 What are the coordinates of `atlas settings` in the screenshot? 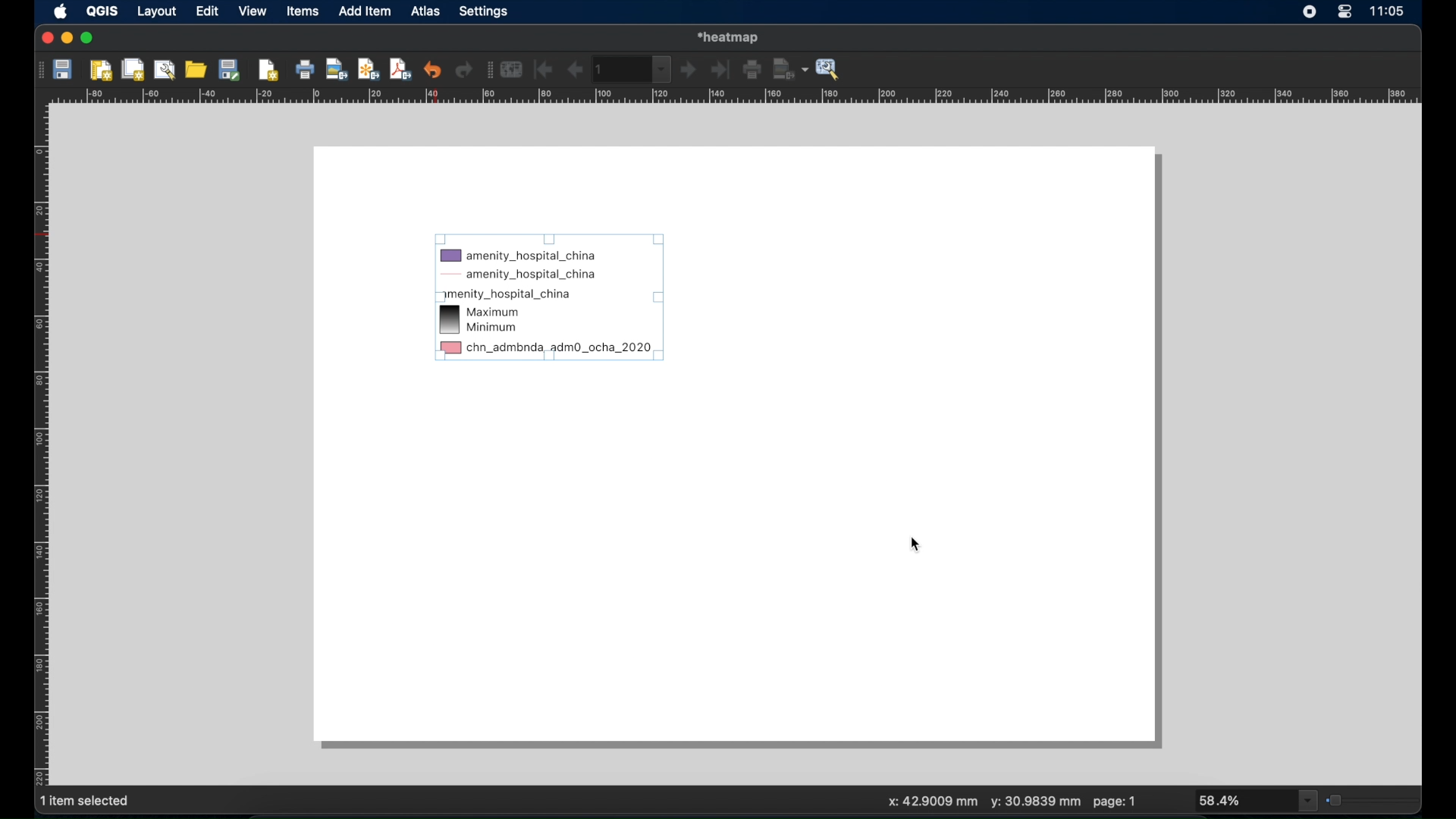 It's located at (829, 70).